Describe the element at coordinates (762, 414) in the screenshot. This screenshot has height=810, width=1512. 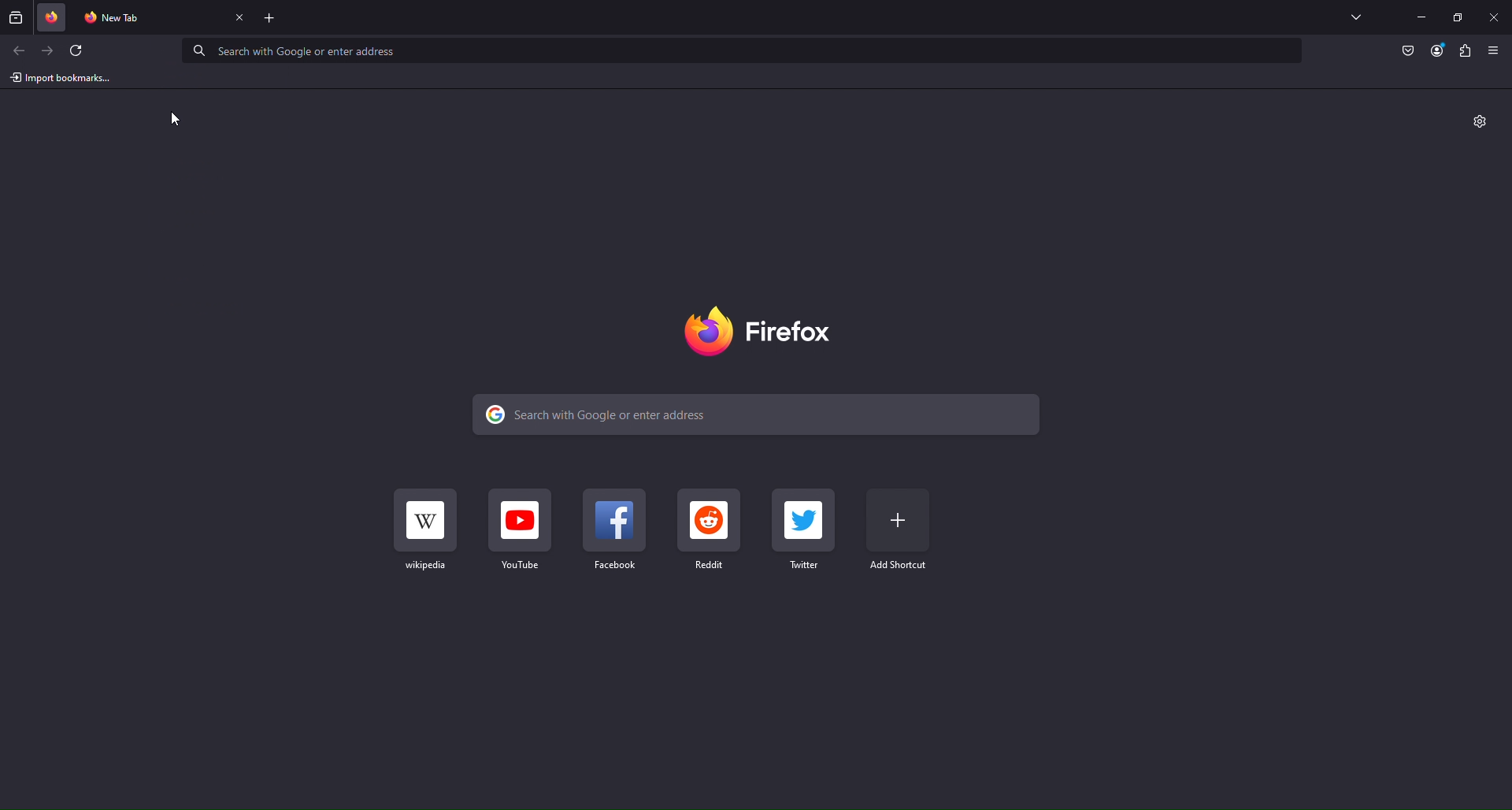
I see `Search Bar` at that location.